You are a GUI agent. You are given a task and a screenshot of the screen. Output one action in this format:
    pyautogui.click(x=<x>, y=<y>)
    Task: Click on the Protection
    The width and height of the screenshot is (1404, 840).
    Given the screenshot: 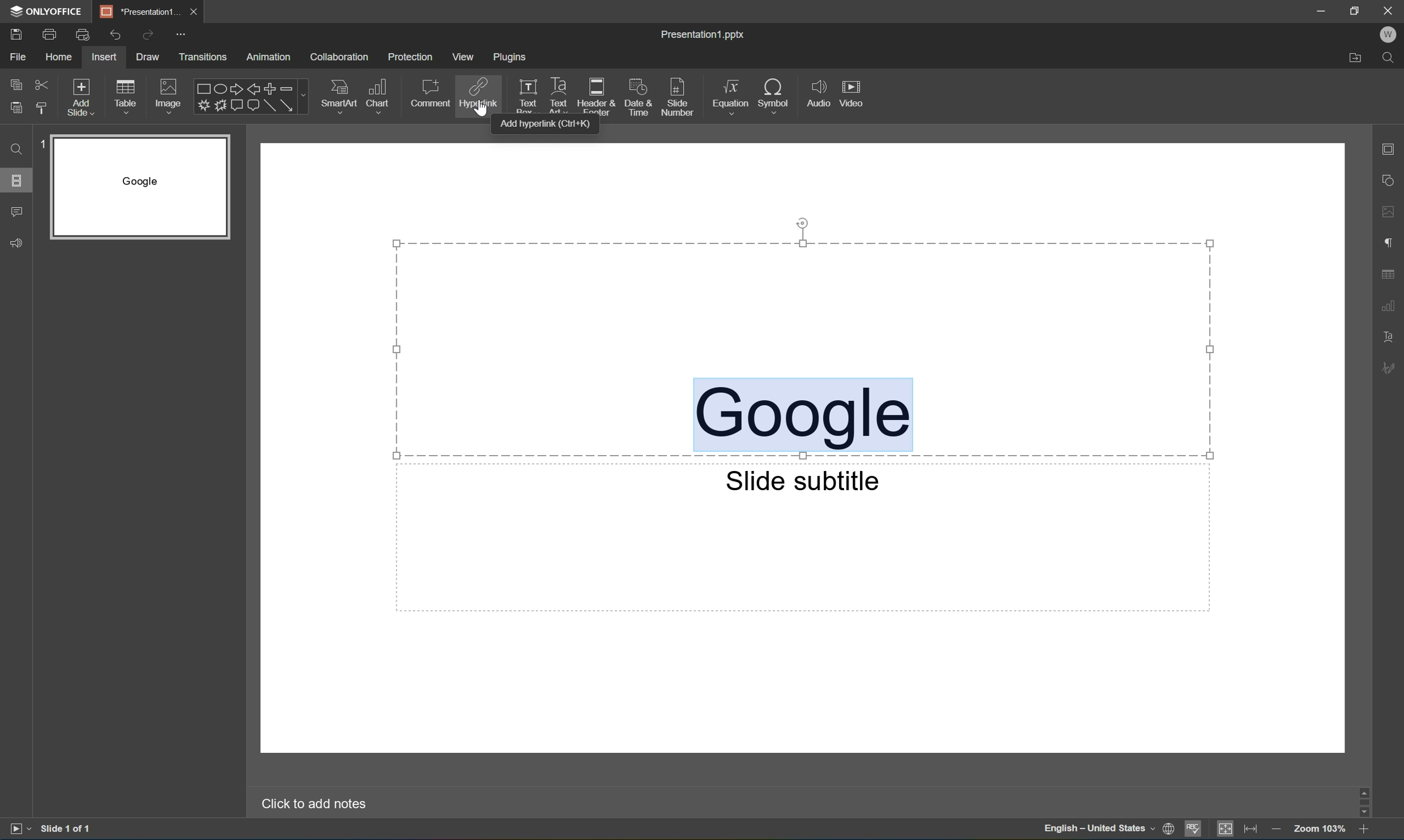 What is the action you would take?
    pyautogui.click(x=412, y=57)
    